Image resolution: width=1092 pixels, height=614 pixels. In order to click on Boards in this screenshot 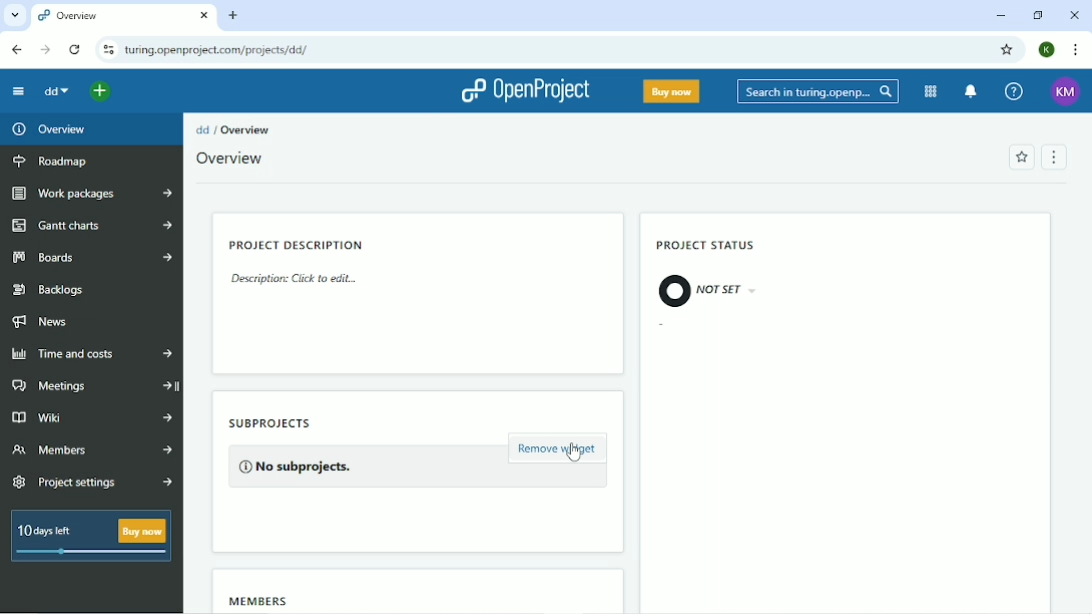, I will do `click(93, 258)`.